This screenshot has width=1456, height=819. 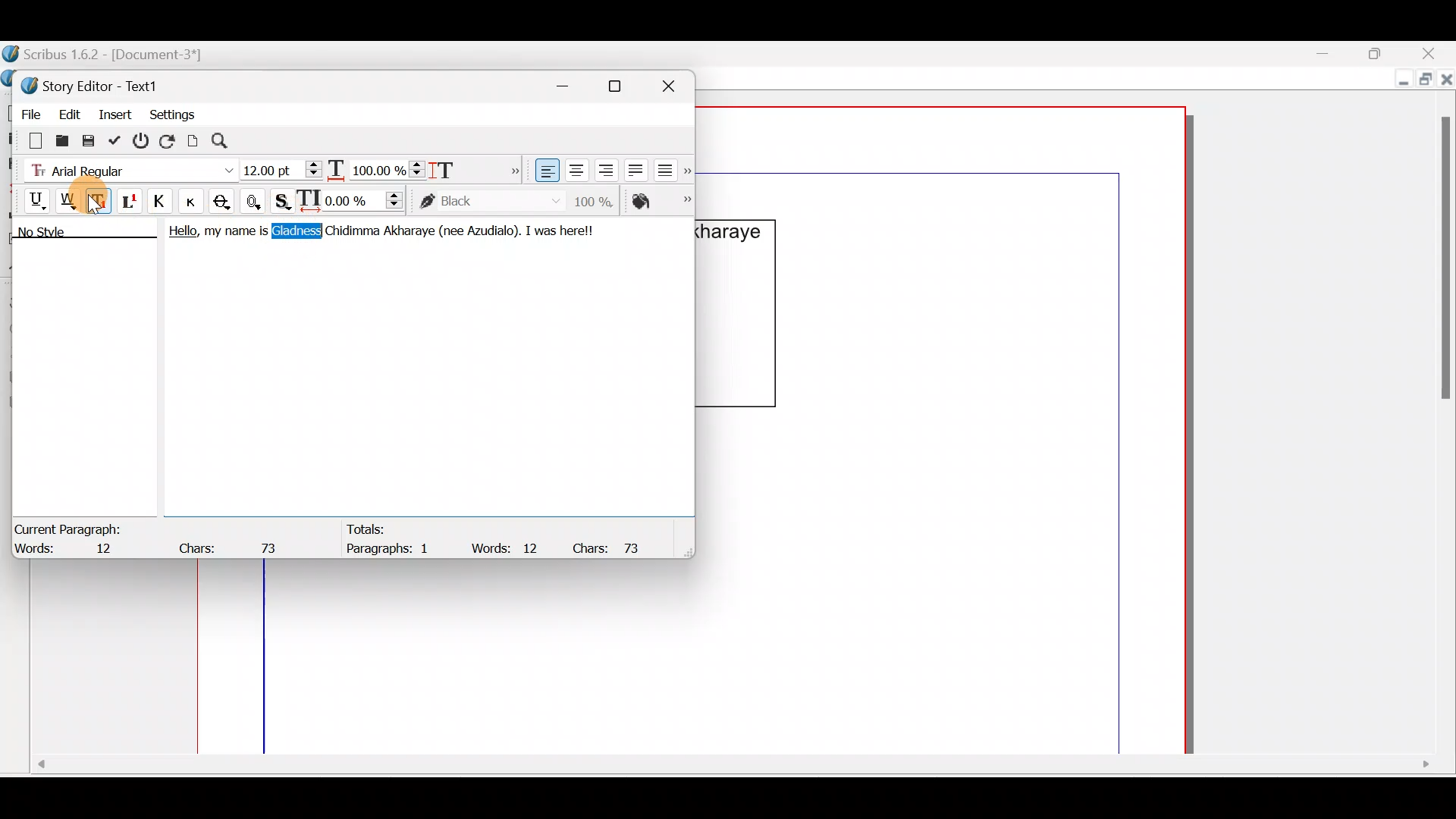 What do you see at coordinates (27, 111) in the screenshot?
I see `File` at bounding box center [27, 111].